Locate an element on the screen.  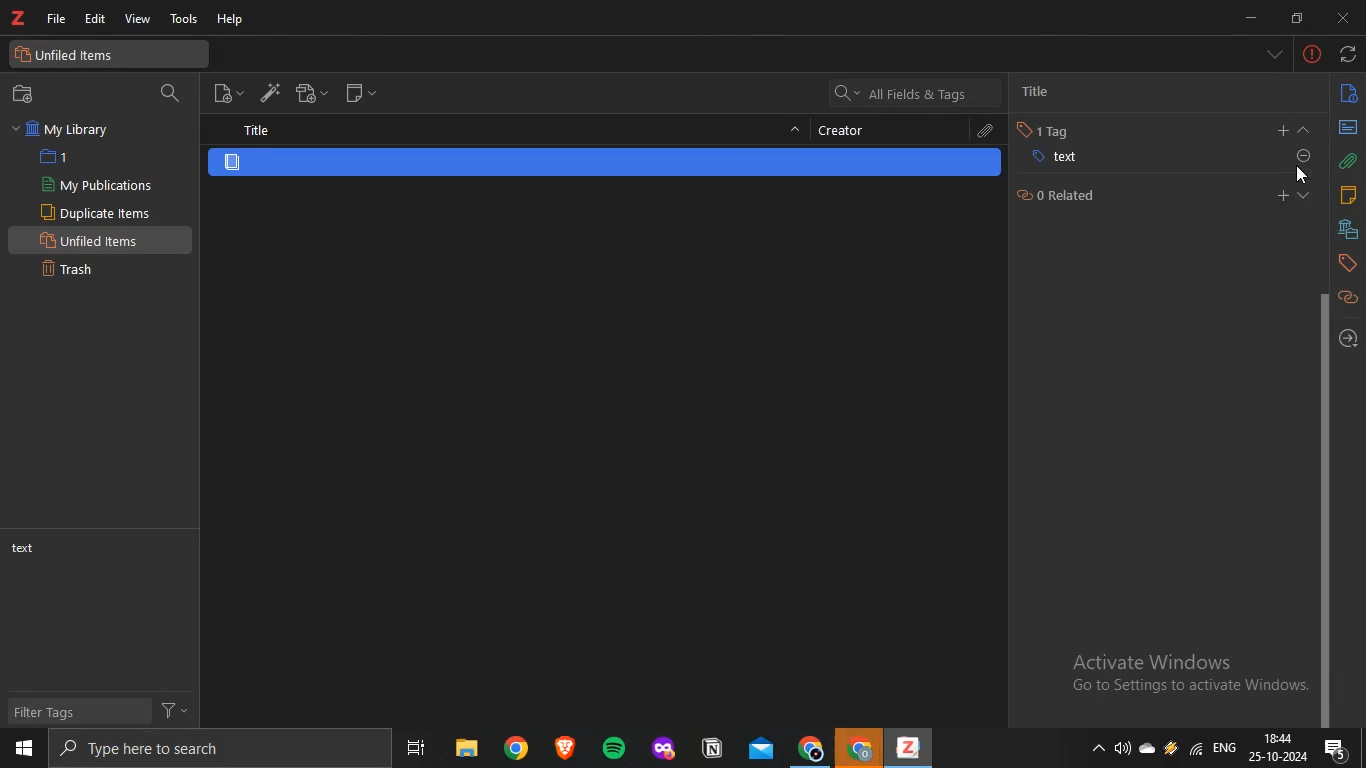
expand section is located at coordinates (1307, 195).